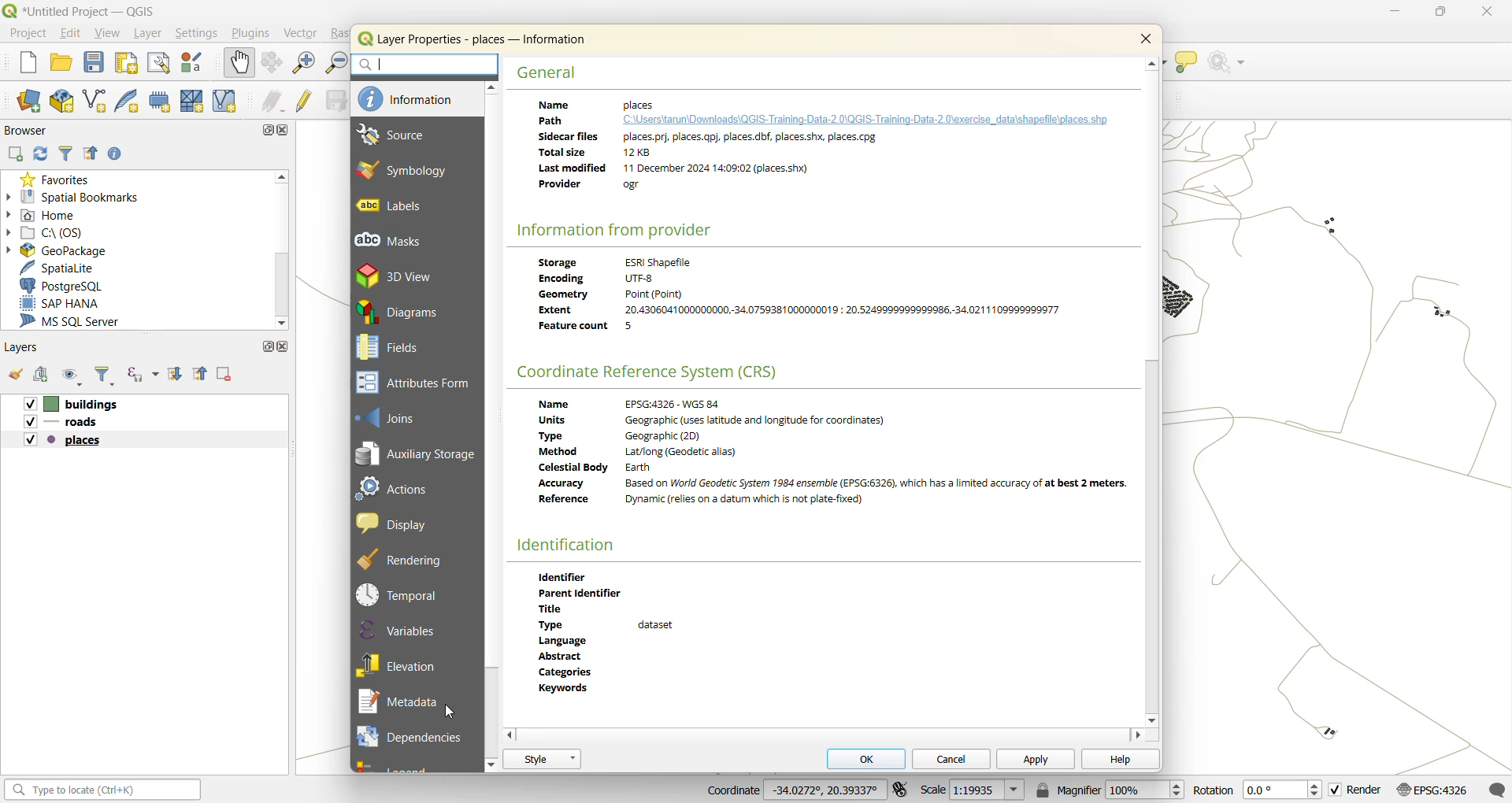 This screenshot has height=803, width=1512. I want to click on cancel, so click(949, 757).